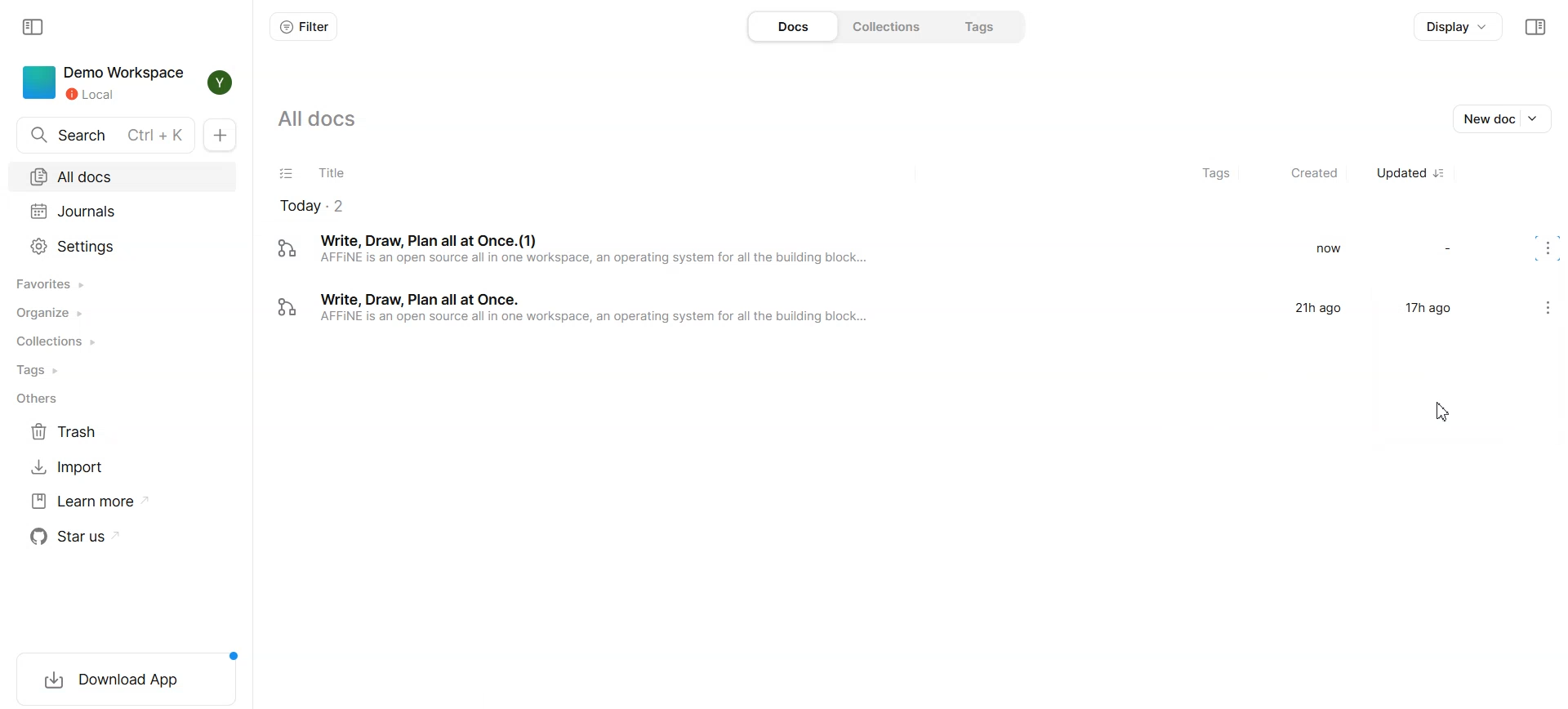 Image resolution: width=1568 pixels, height=709 pixels. I want to click on Title, so click(334, 173).